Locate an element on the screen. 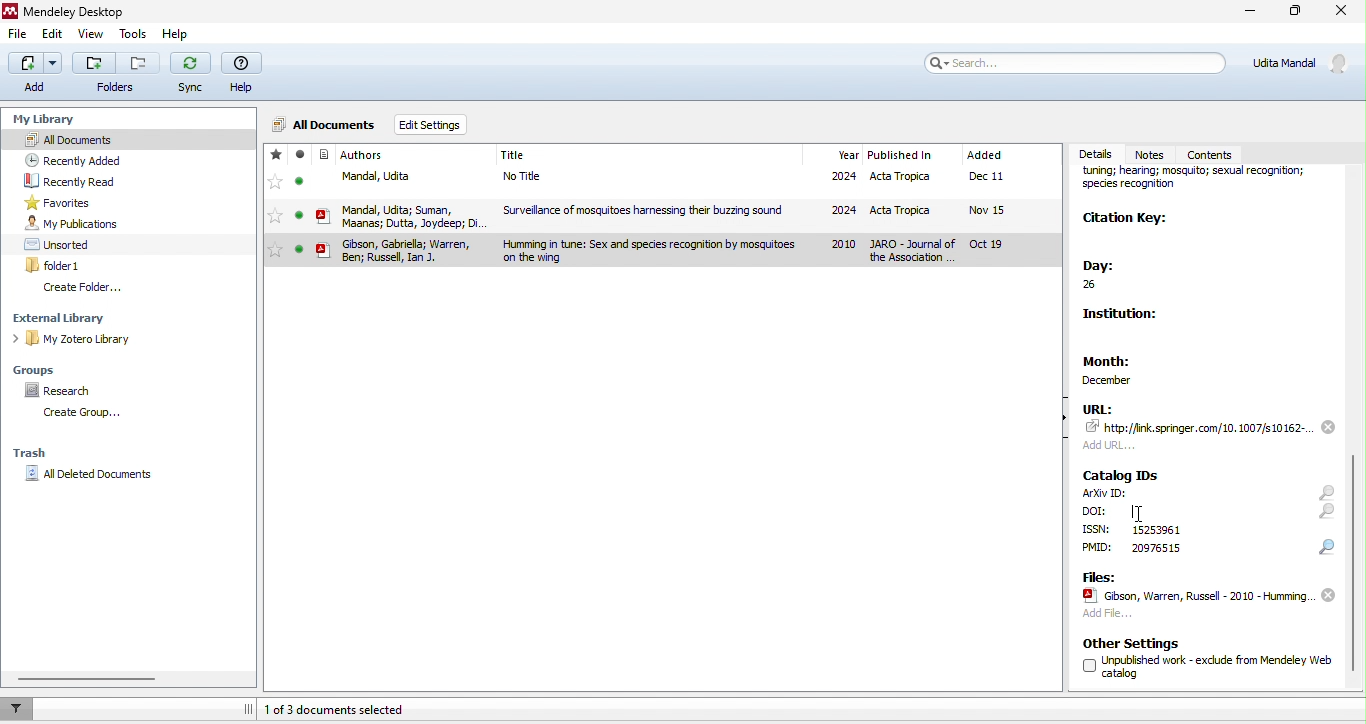 Image resolution: width=1366 pixels, height=724 pixels. favourites is located at coordinates (63, 203).